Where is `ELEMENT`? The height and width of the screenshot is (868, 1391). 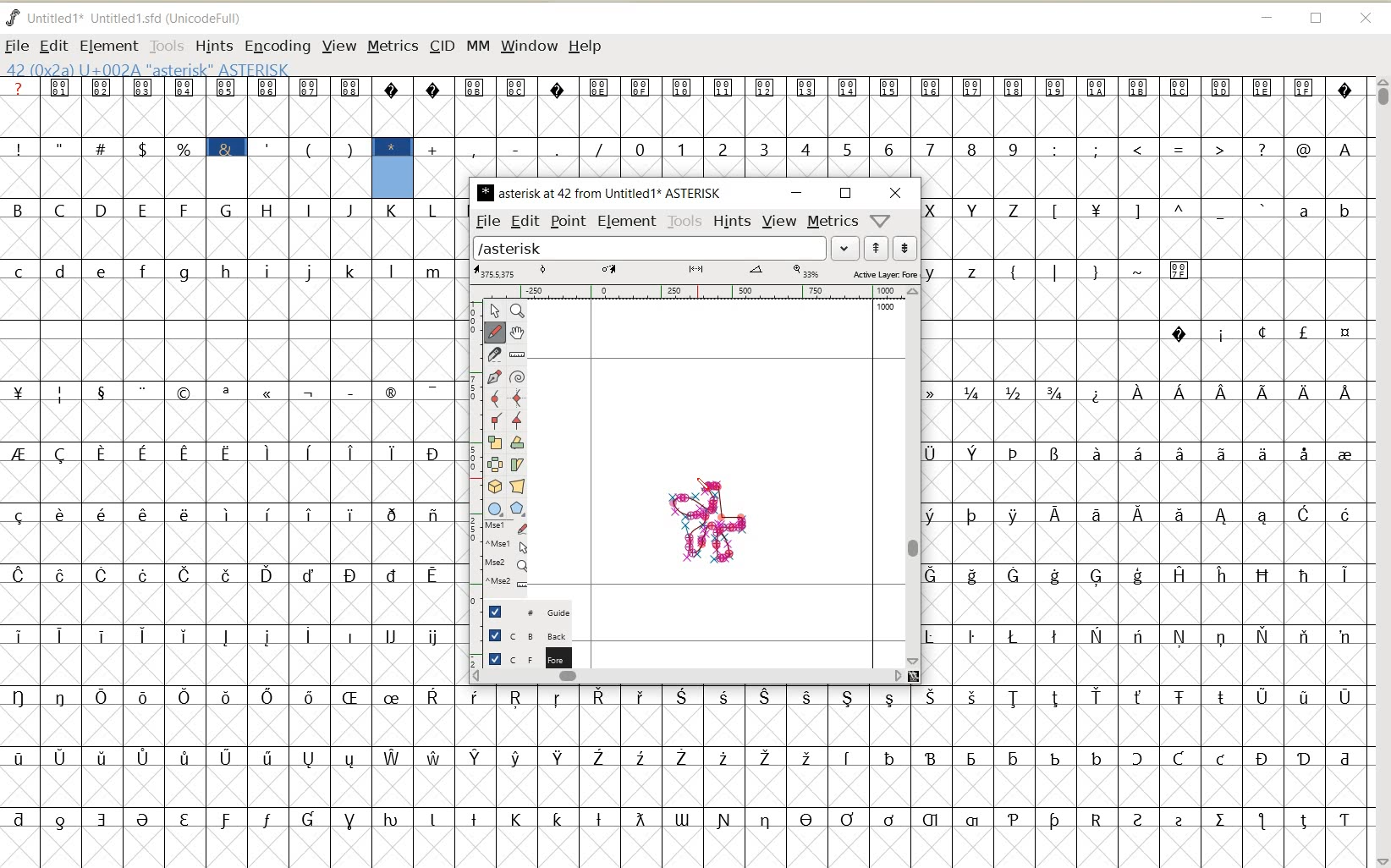 ELEMENT is located at coordinates (109, 46).